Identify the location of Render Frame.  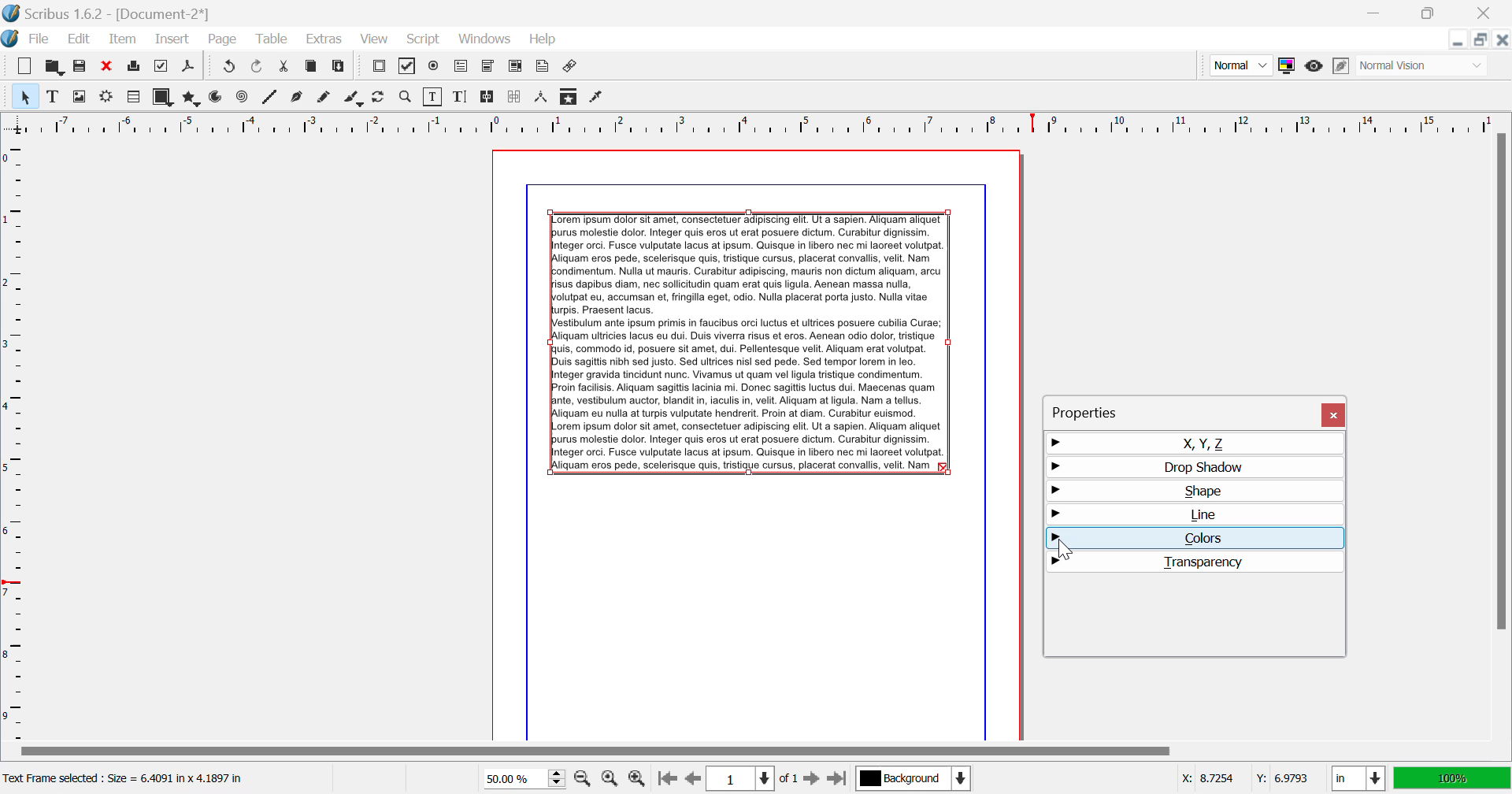
(106, 98).